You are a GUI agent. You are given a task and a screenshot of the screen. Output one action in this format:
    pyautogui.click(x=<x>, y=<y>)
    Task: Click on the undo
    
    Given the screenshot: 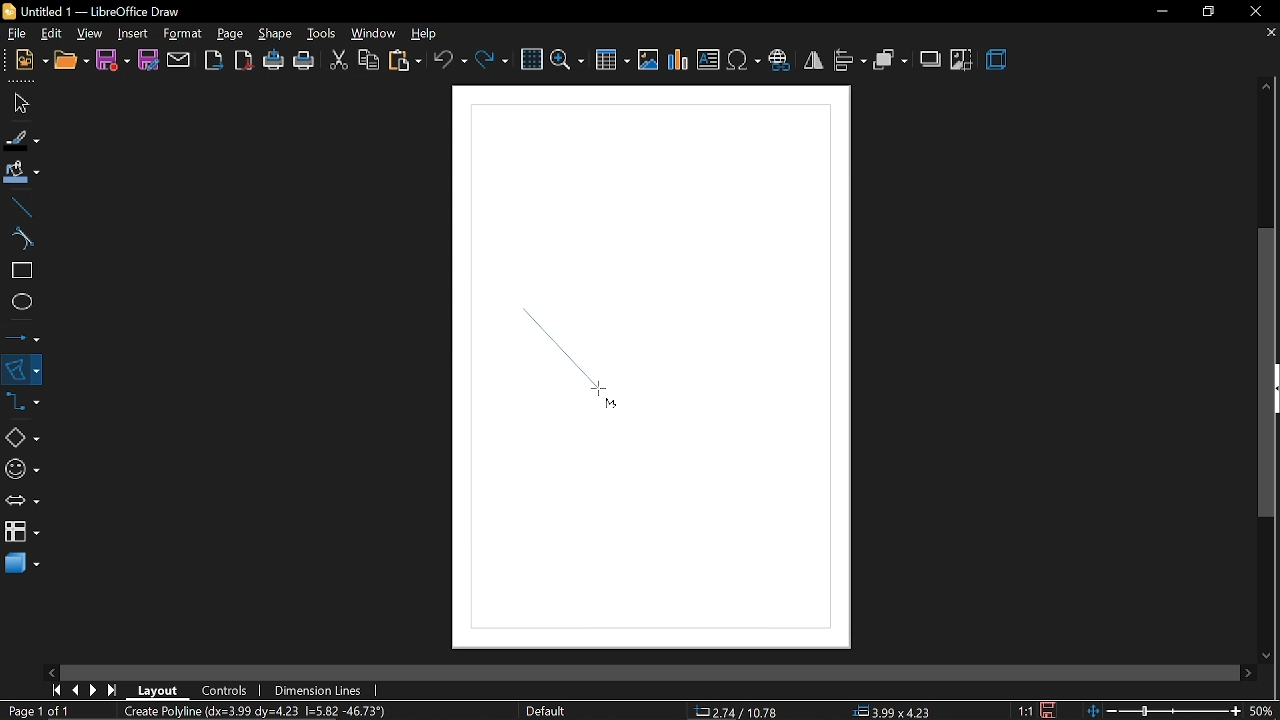 What is the action you would take?
    pyautogui.click(x=451, y=59)
    